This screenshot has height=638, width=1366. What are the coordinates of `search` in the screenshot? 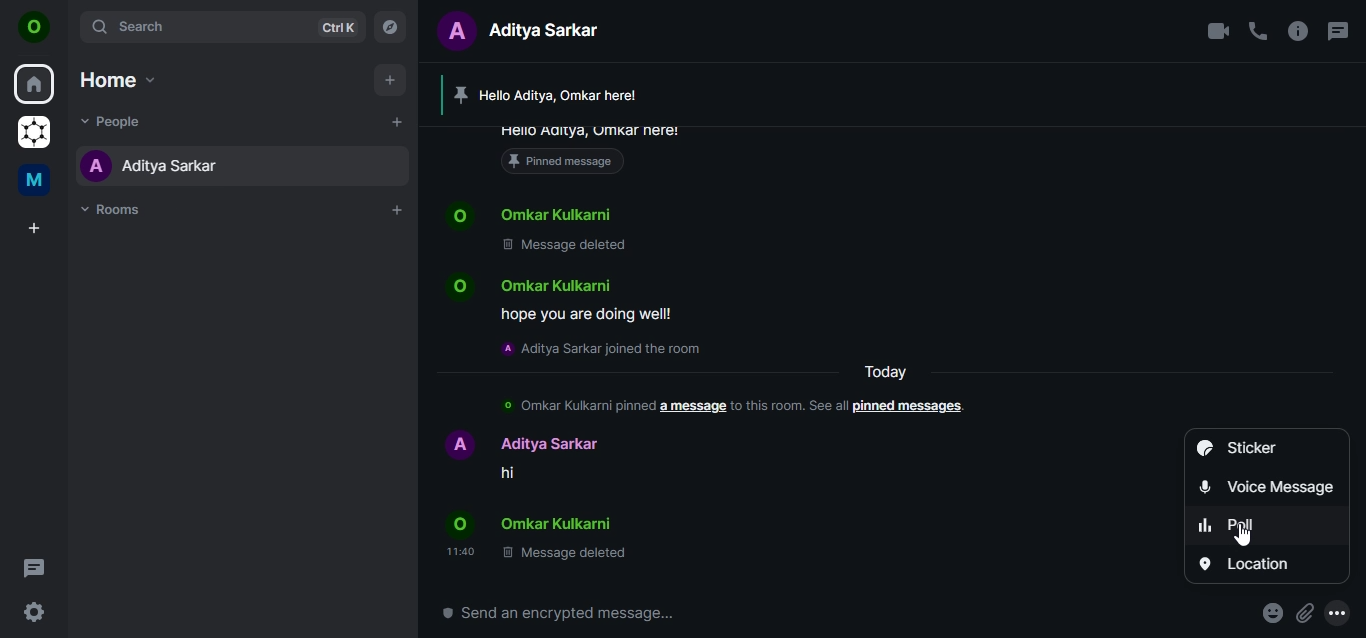 It's located at (220, 26).